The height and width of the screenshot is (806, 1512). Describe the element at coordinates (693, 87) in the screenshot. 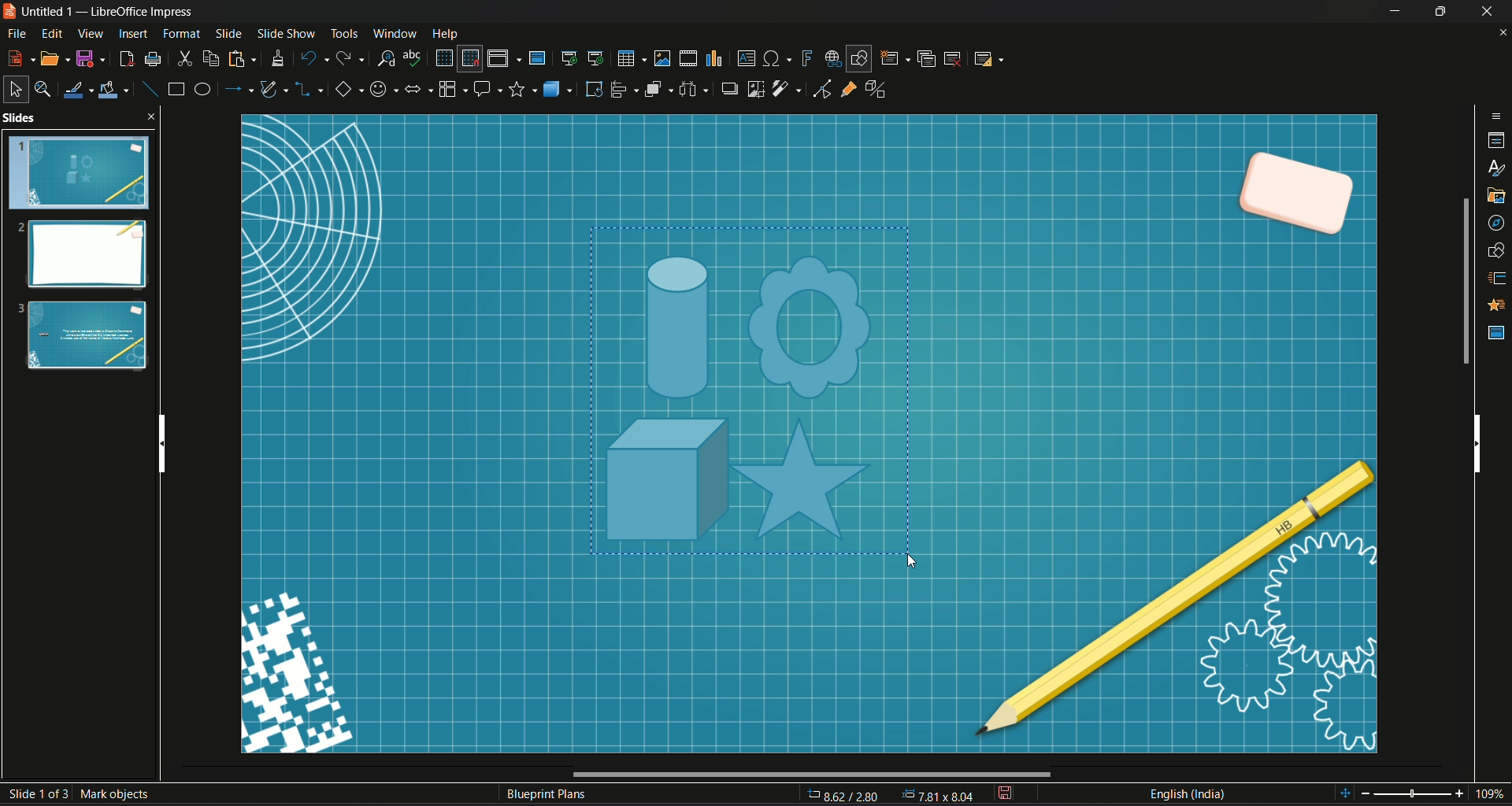

I see `select image` at that location.